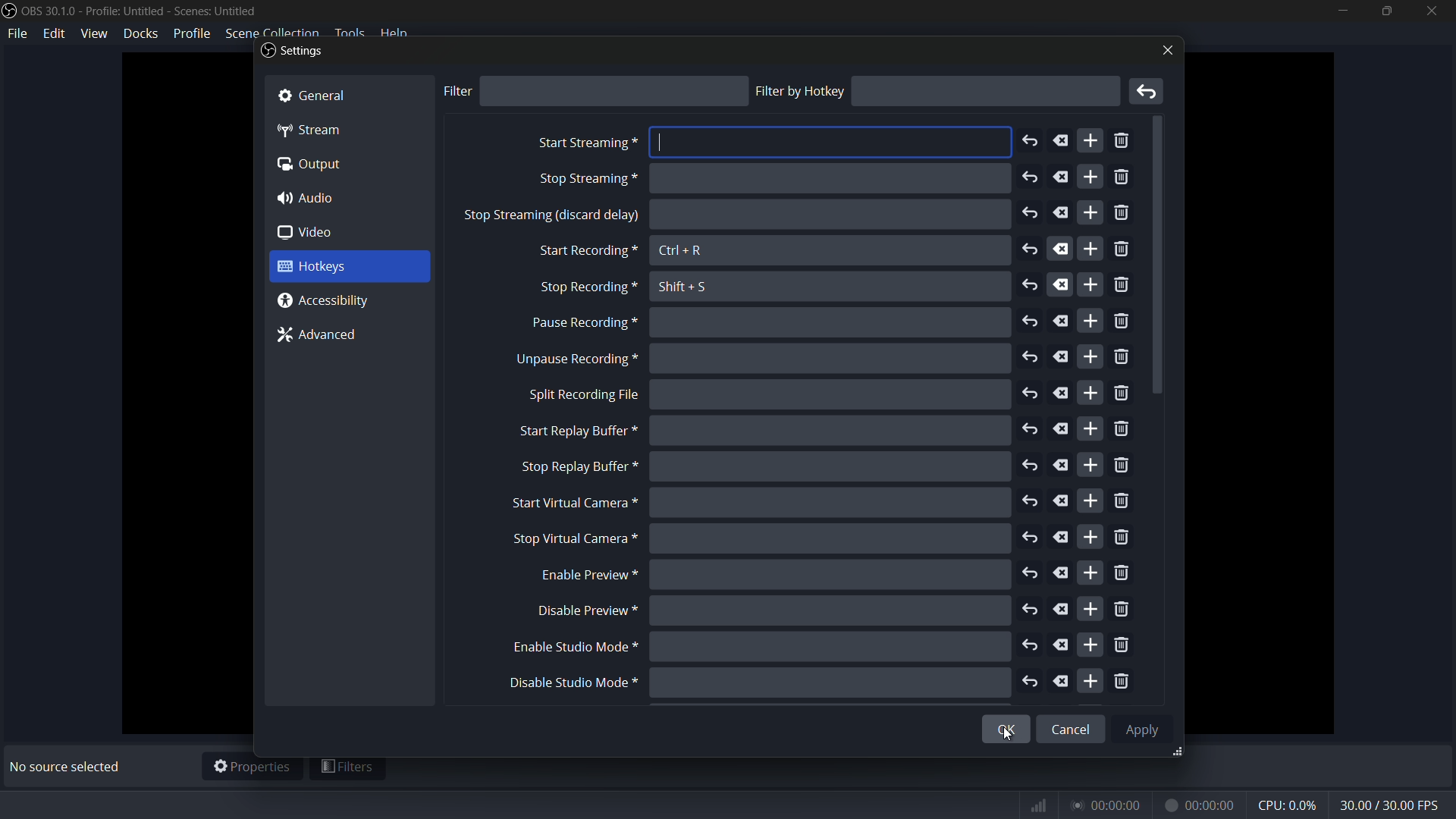 Image resolution: width=1456 pixels, height=819 pixels. Describe the element at coordinates (315, 198) in the screenshot. I see `4) Audio` at that location.